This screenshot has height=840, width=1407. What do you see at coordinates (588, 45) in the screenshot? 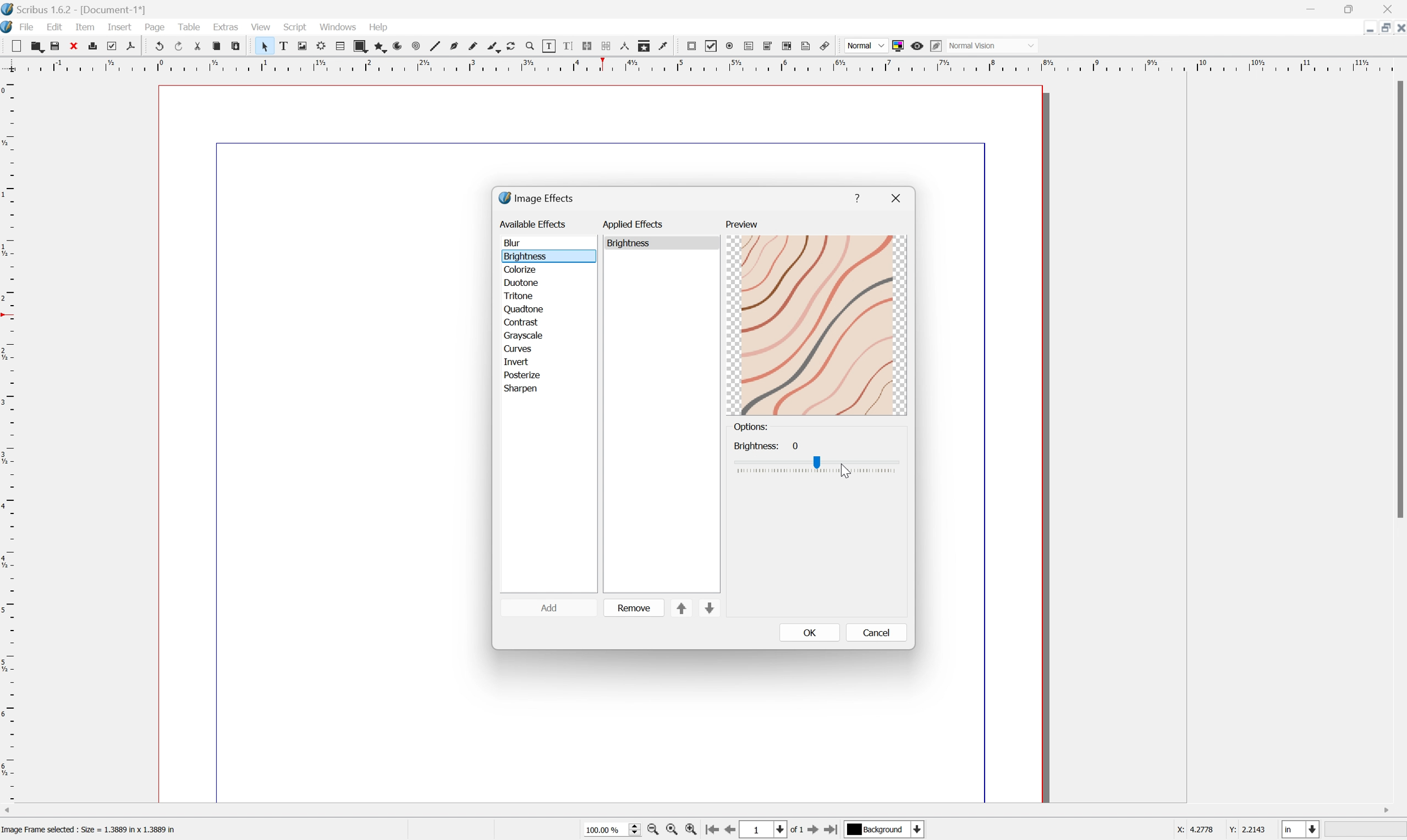
I see `Line text frames` at bounding box center [588, 45].